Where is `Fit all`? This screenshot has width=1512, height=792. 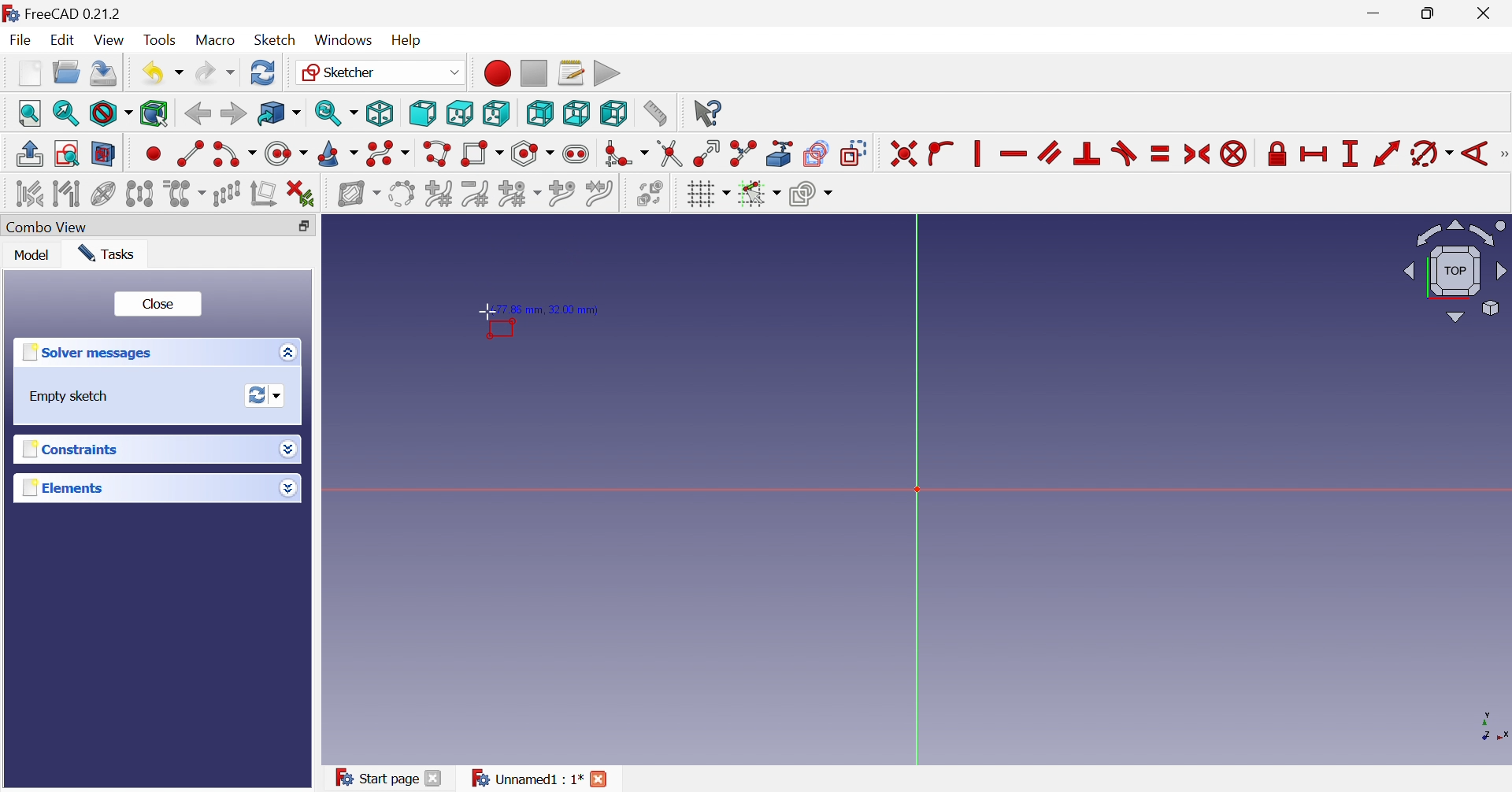
Fit all is located at coordinates (31, 113).